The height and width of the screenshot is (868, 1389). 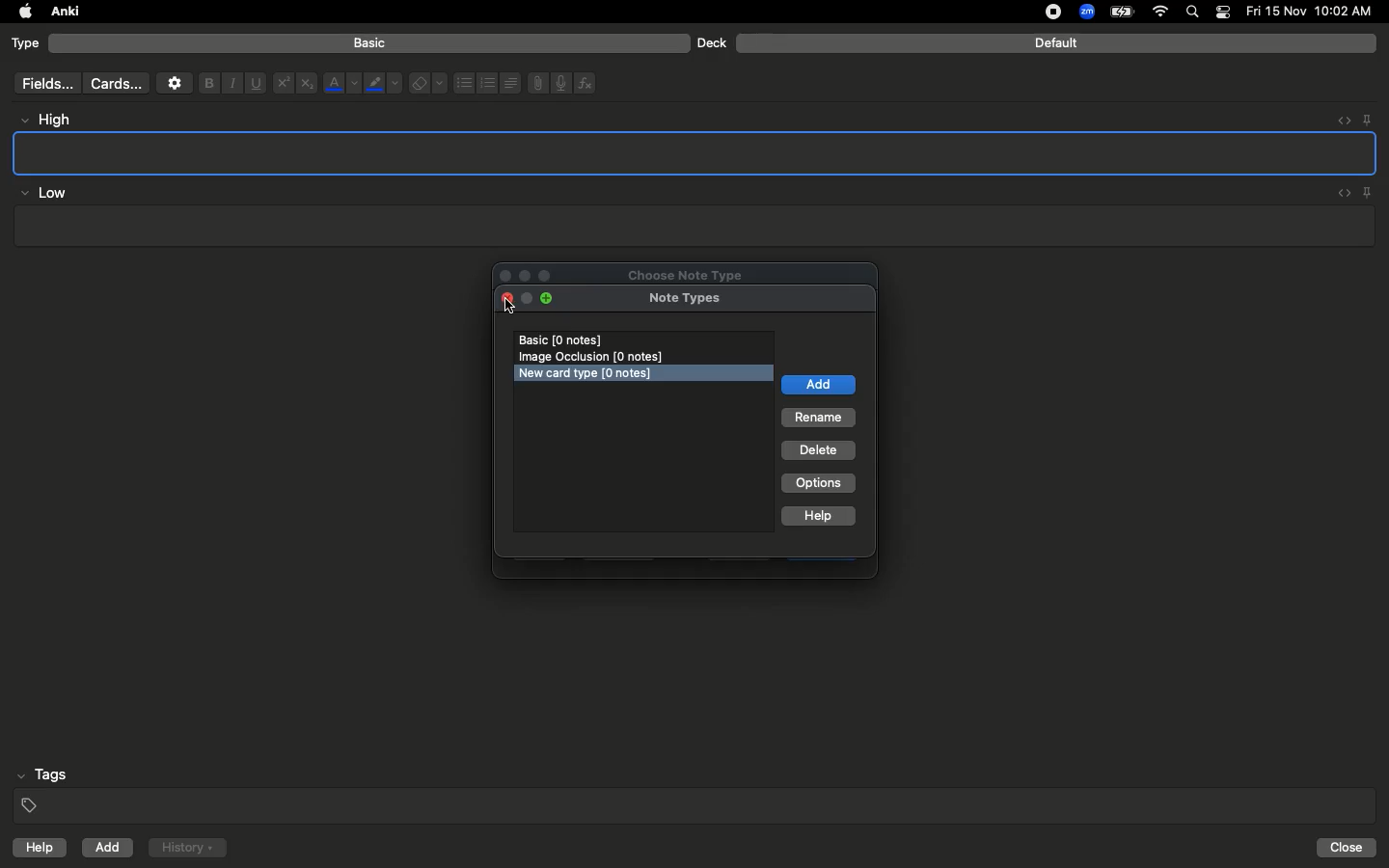 I want to click on help, so click(x=36, y=850).